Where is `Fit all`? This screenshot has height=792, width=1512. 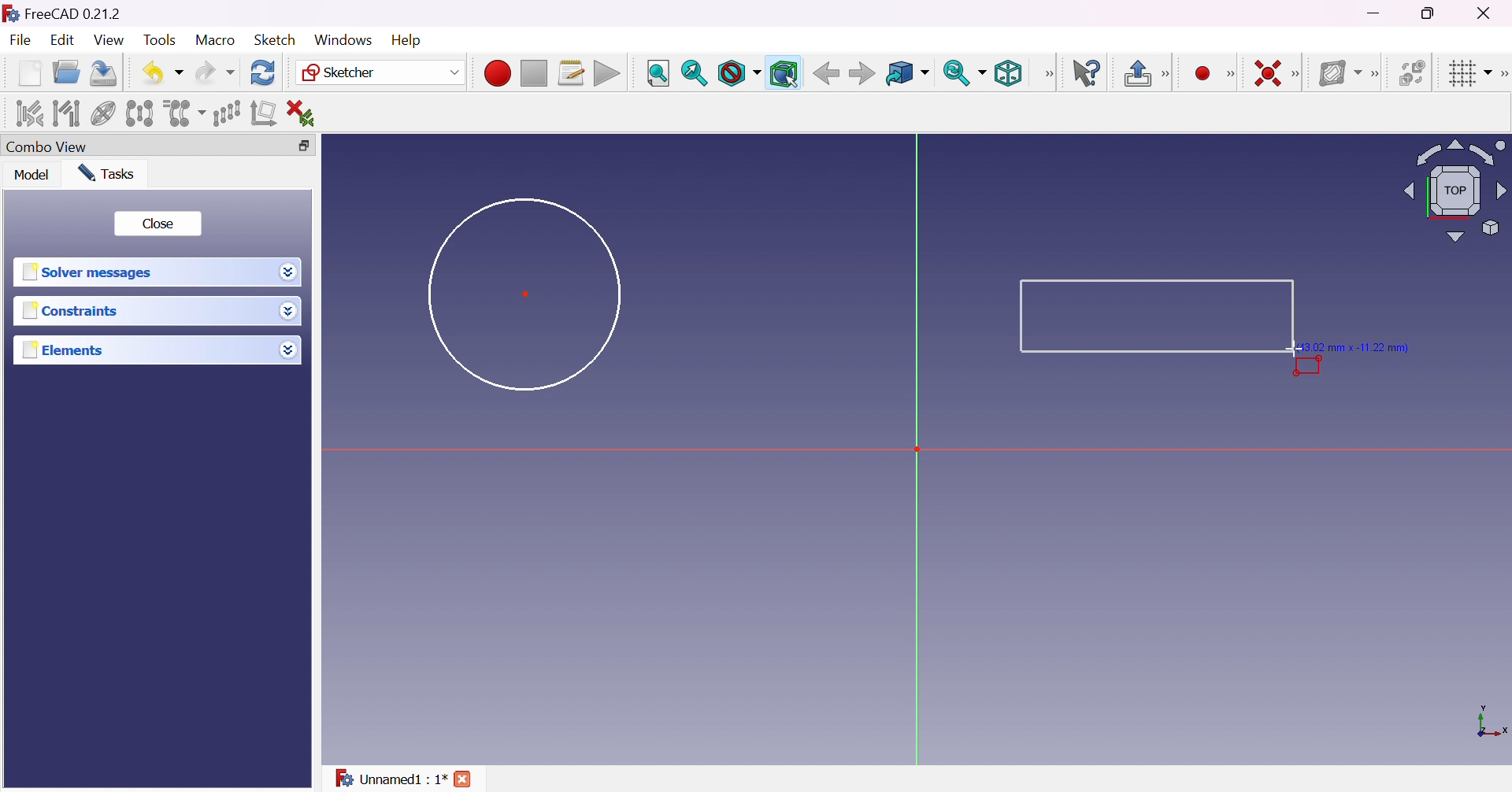
Fit all is located at coordinates (658, 74).